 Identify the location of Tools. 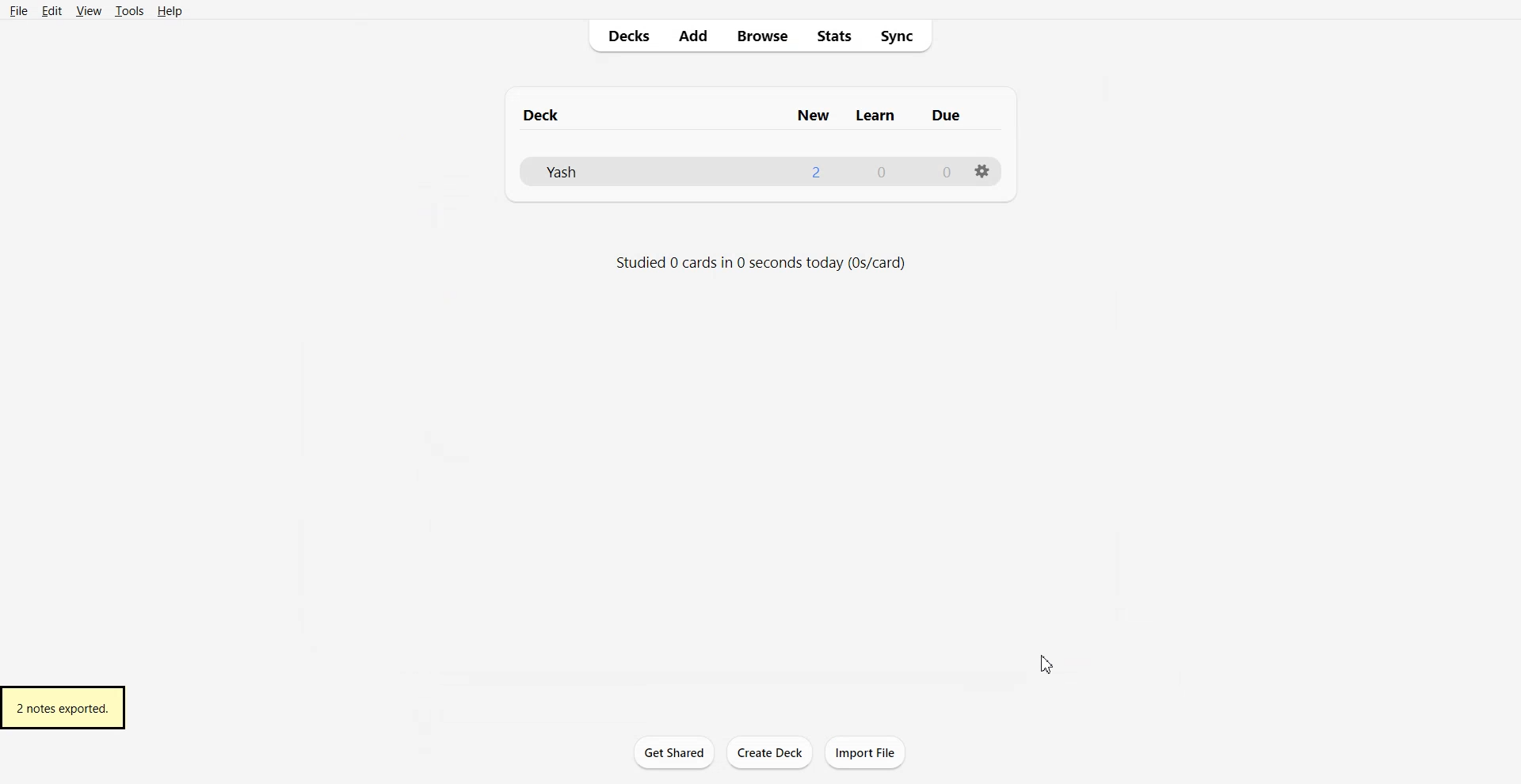
(129, 11).